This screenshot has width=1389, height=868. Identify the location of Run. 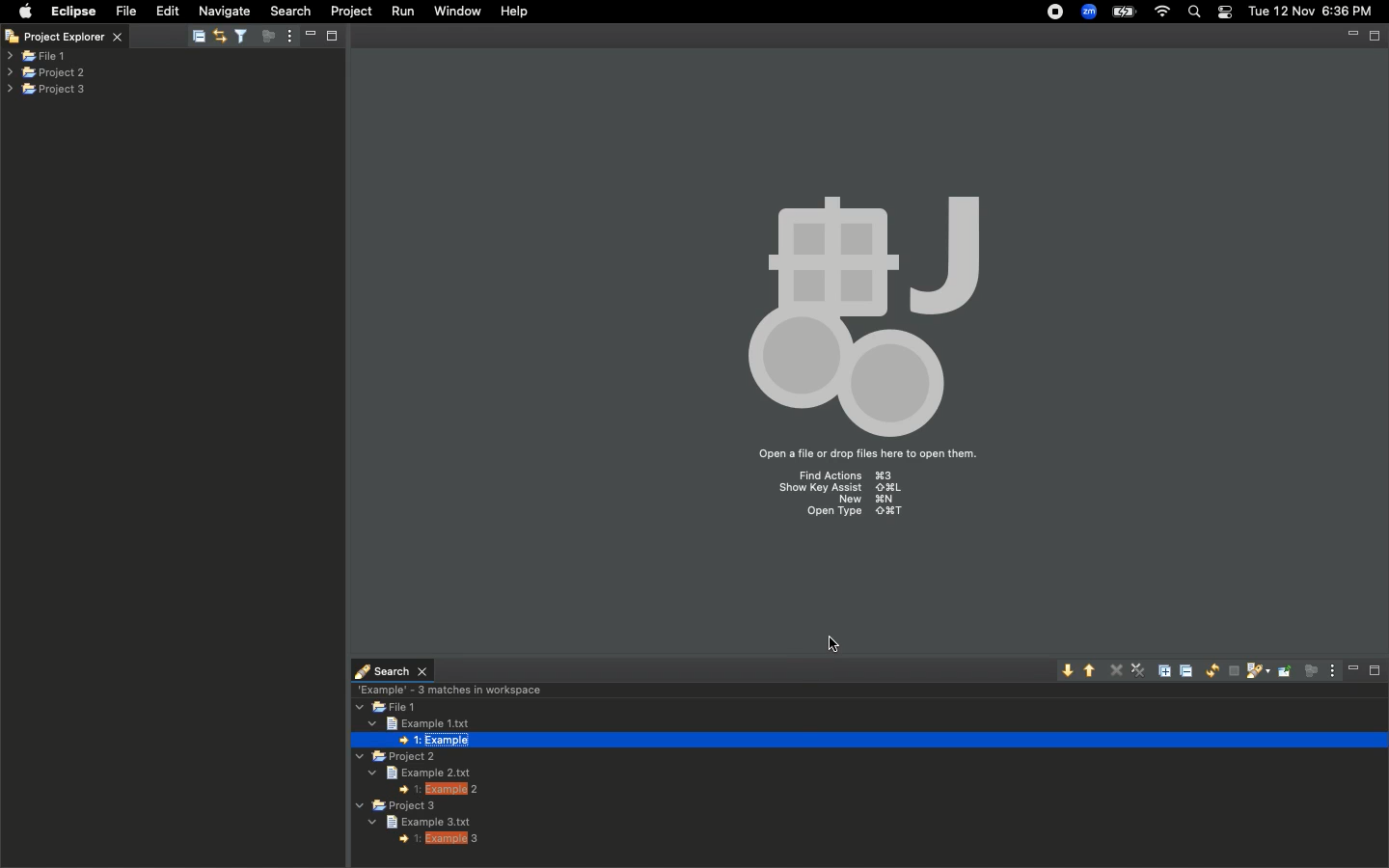
(404, 12).